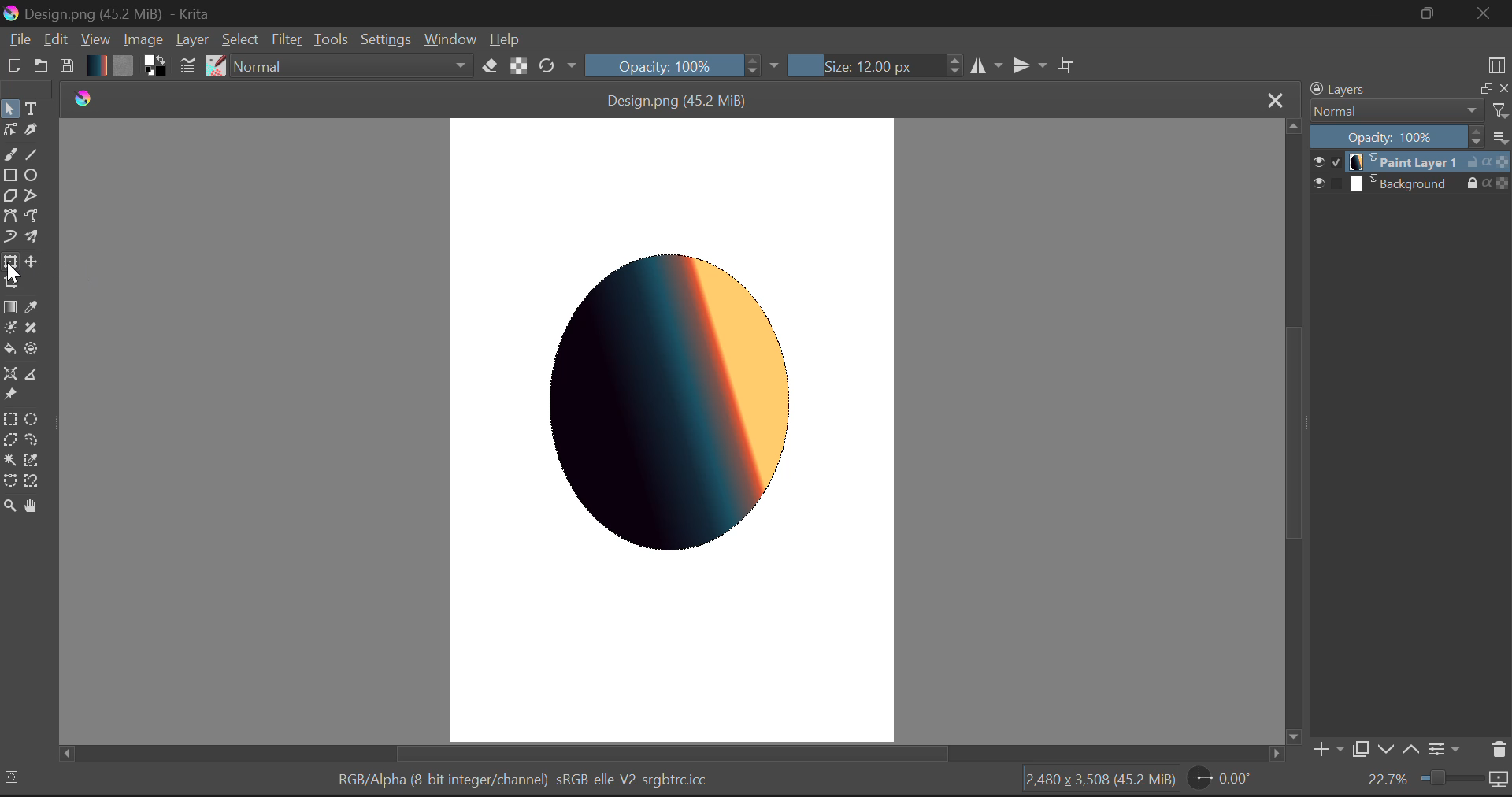  I want to click on Magnetic Selection, so click(32, 483).